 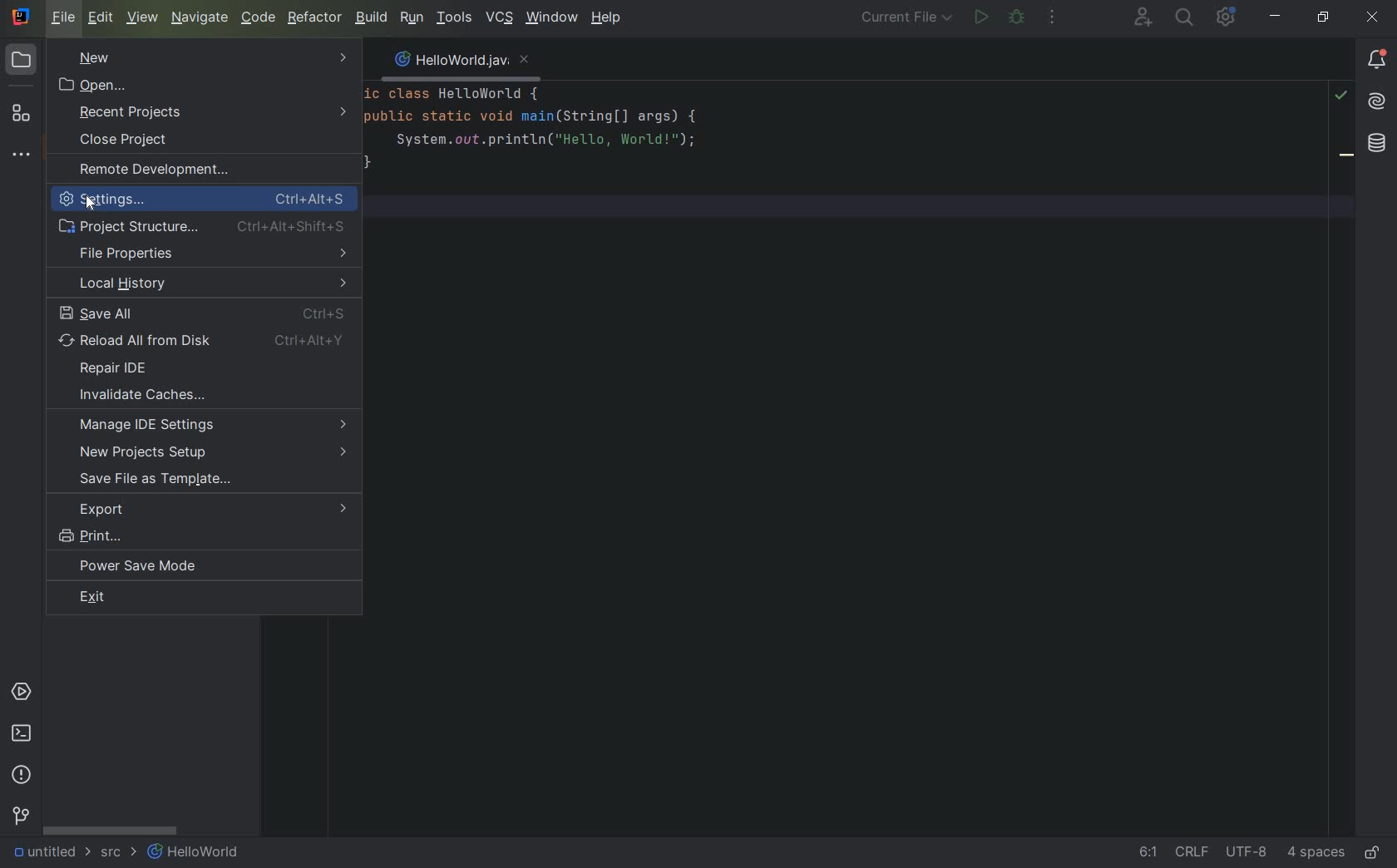 I want to click on TERMINAL, so click(x=20, y=734).